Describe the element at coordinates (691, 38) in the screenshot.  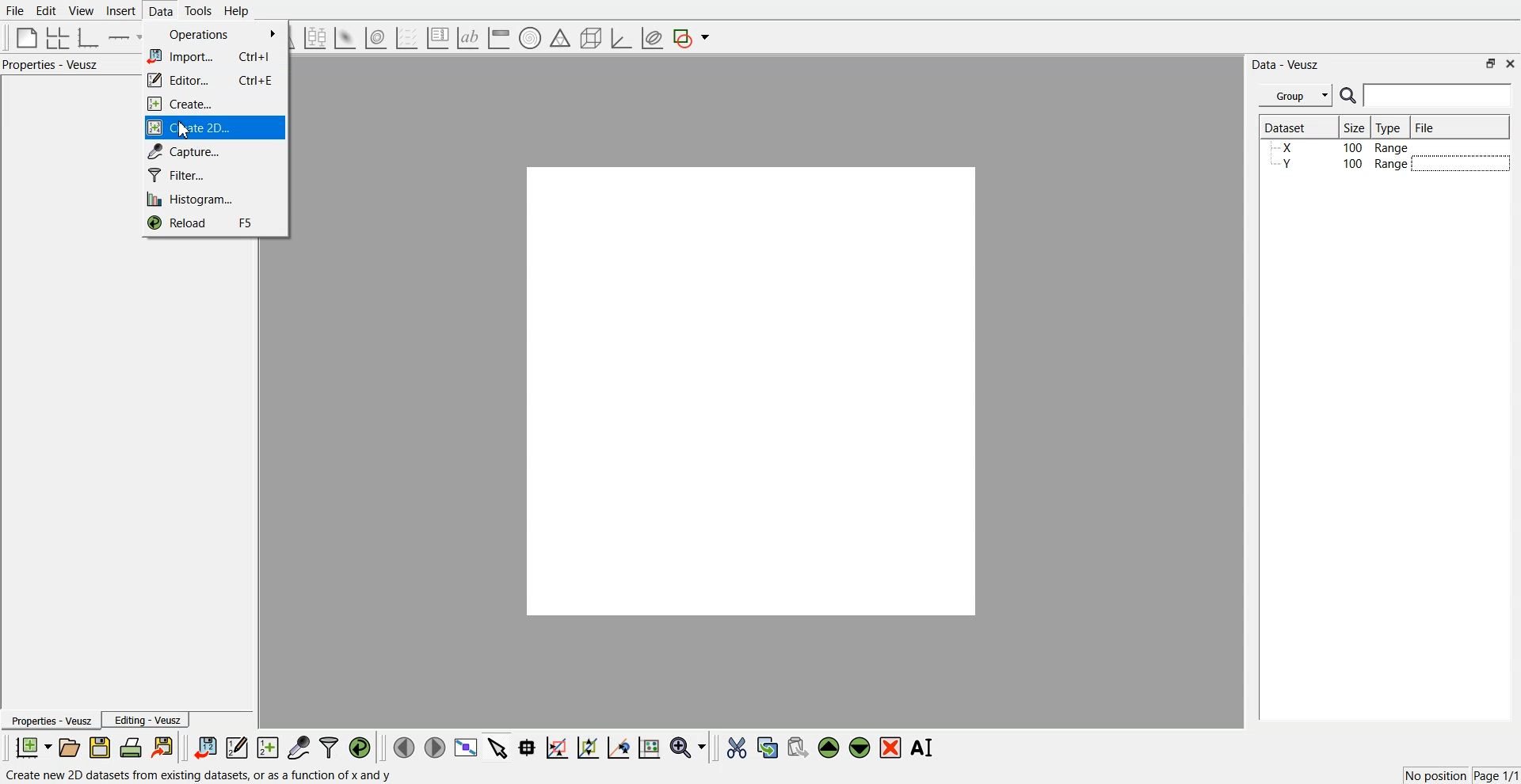
I see `Add shape to the plot` at that location.